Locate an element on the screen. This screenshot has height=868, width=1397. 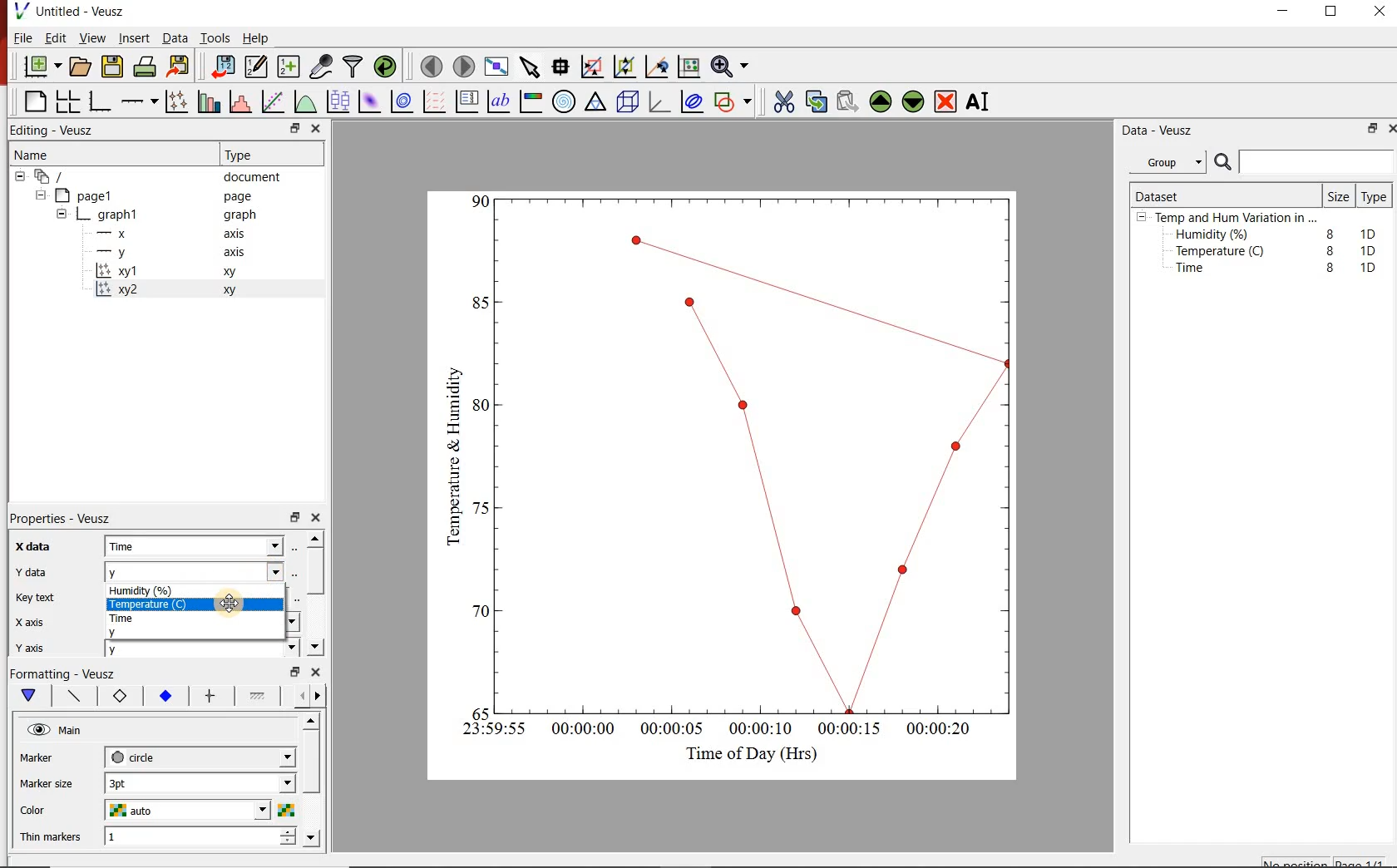
Time is located at coordinates (140, 619).